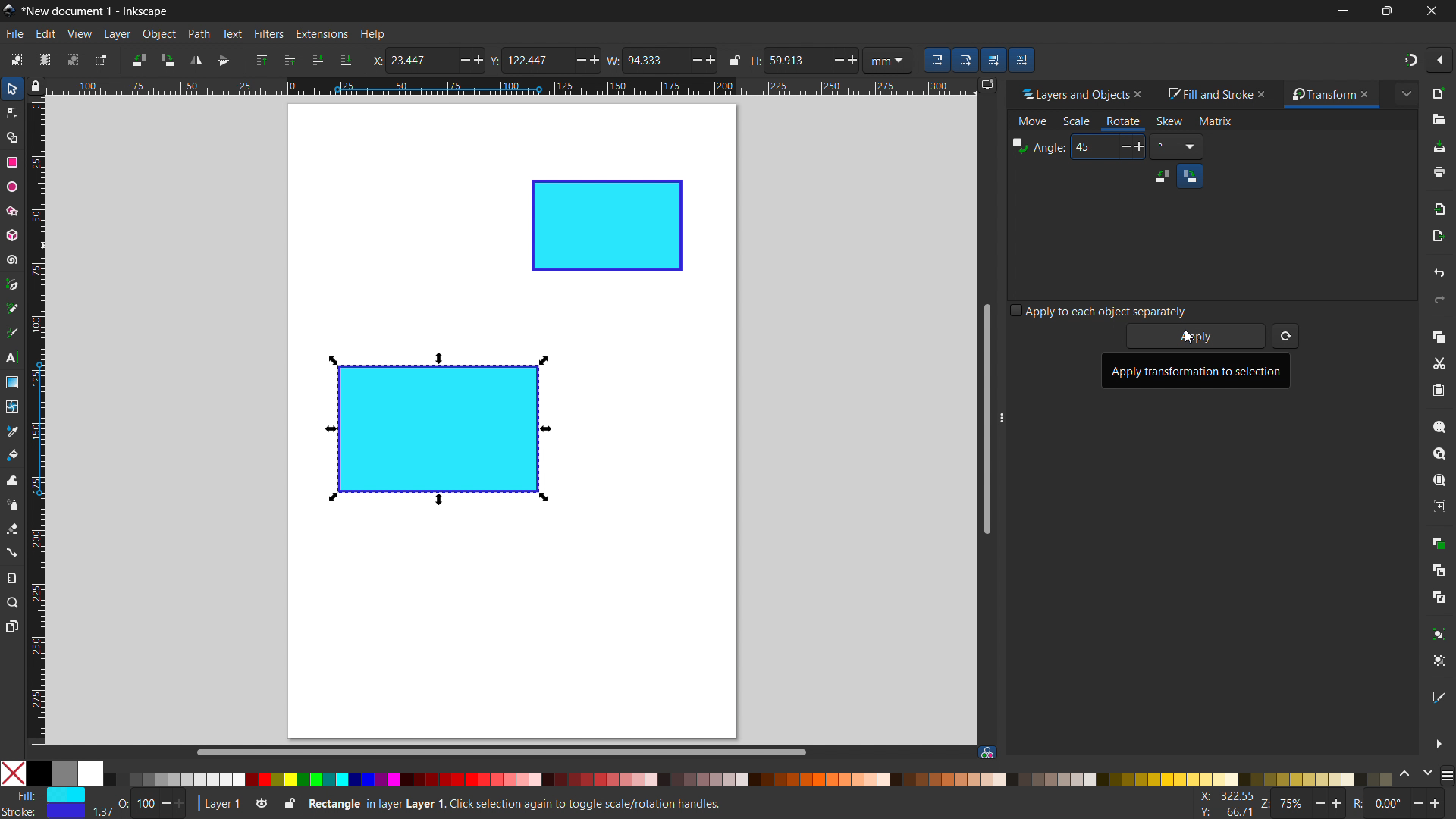 The height and width of the screenshot is (819, 1456). Describe the element at coordinates (43, 59) in the screenshot. I see `select all in all layers` at that location.